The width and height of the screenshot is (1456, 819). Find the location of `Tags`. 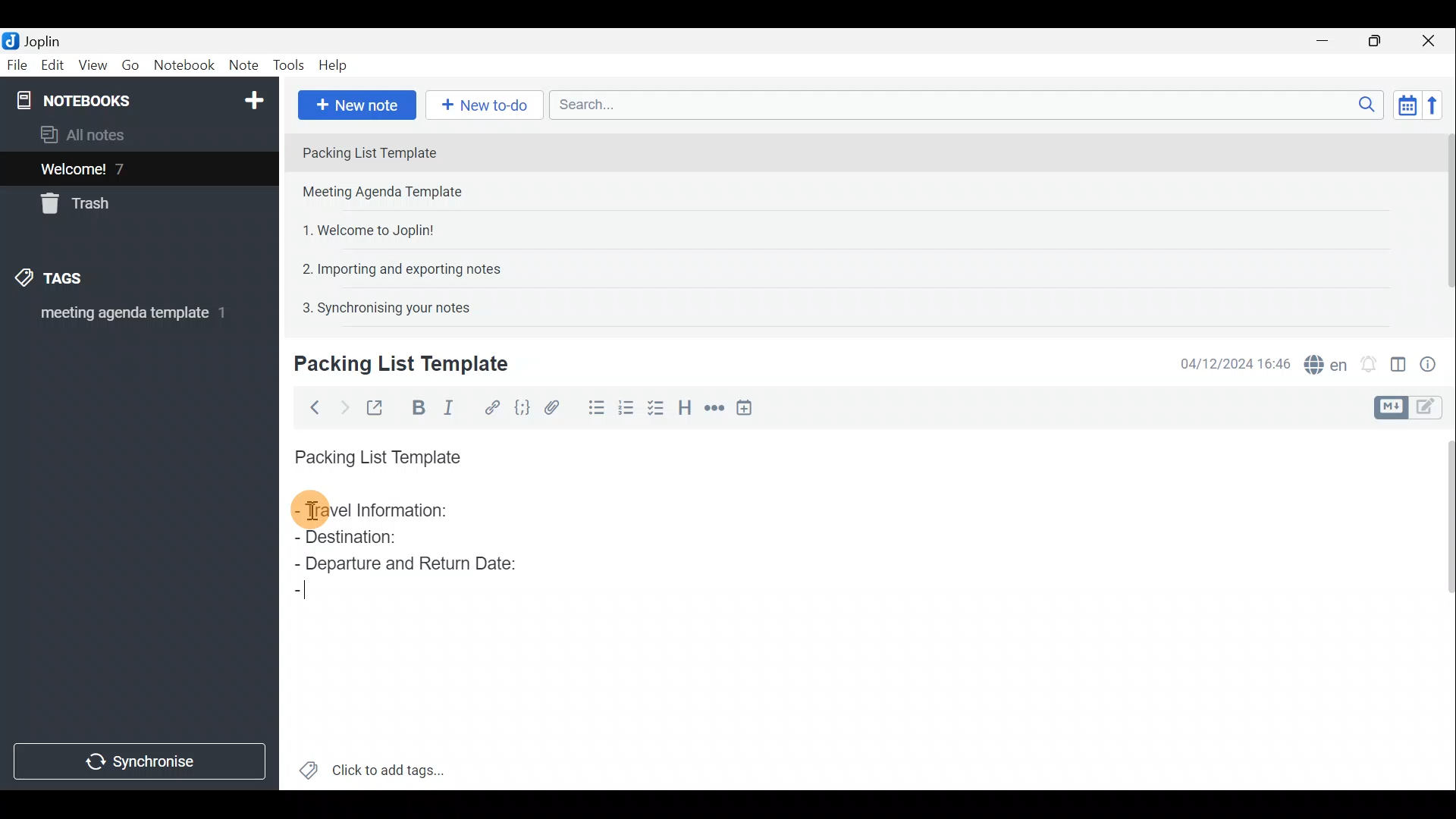

Tags is located at coordinates (74, 281).